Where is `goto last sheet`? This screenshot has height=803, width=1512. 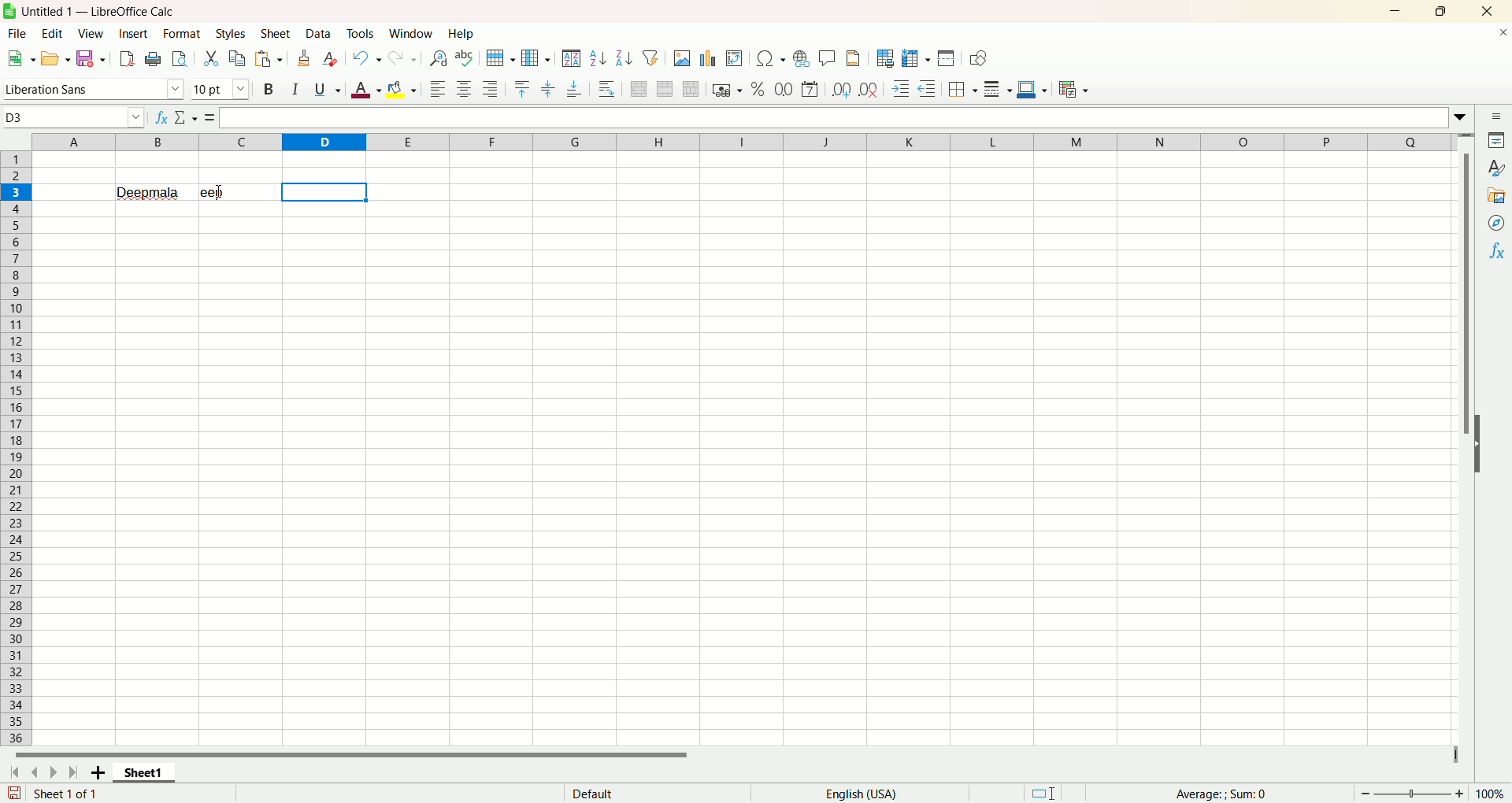 goto last sheet is located at coordinates (71, 772).